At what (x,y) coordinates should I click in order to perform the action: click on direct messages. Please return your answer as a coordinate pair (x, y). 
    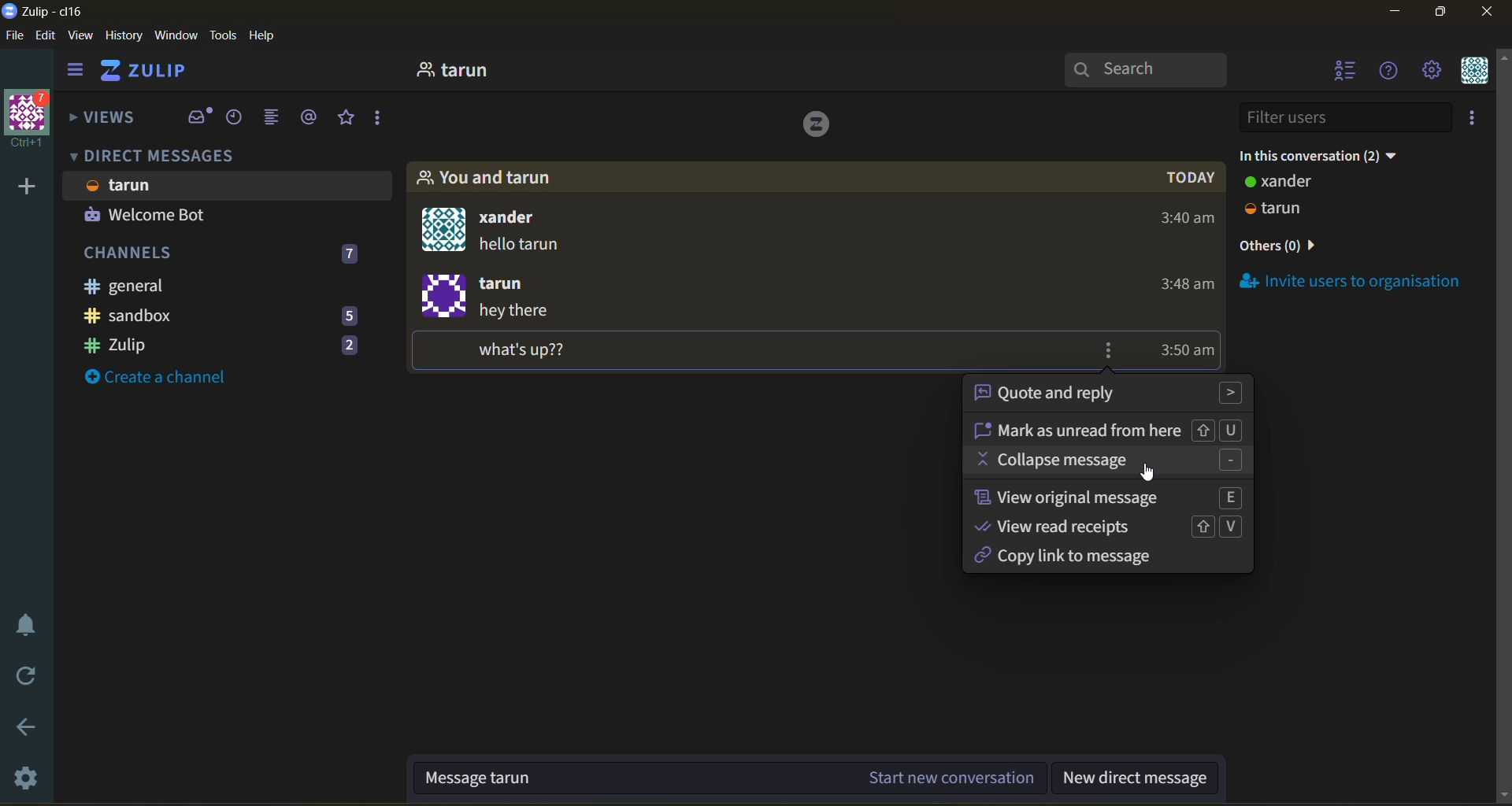
    Looking at the image, I should click on (169, 156).